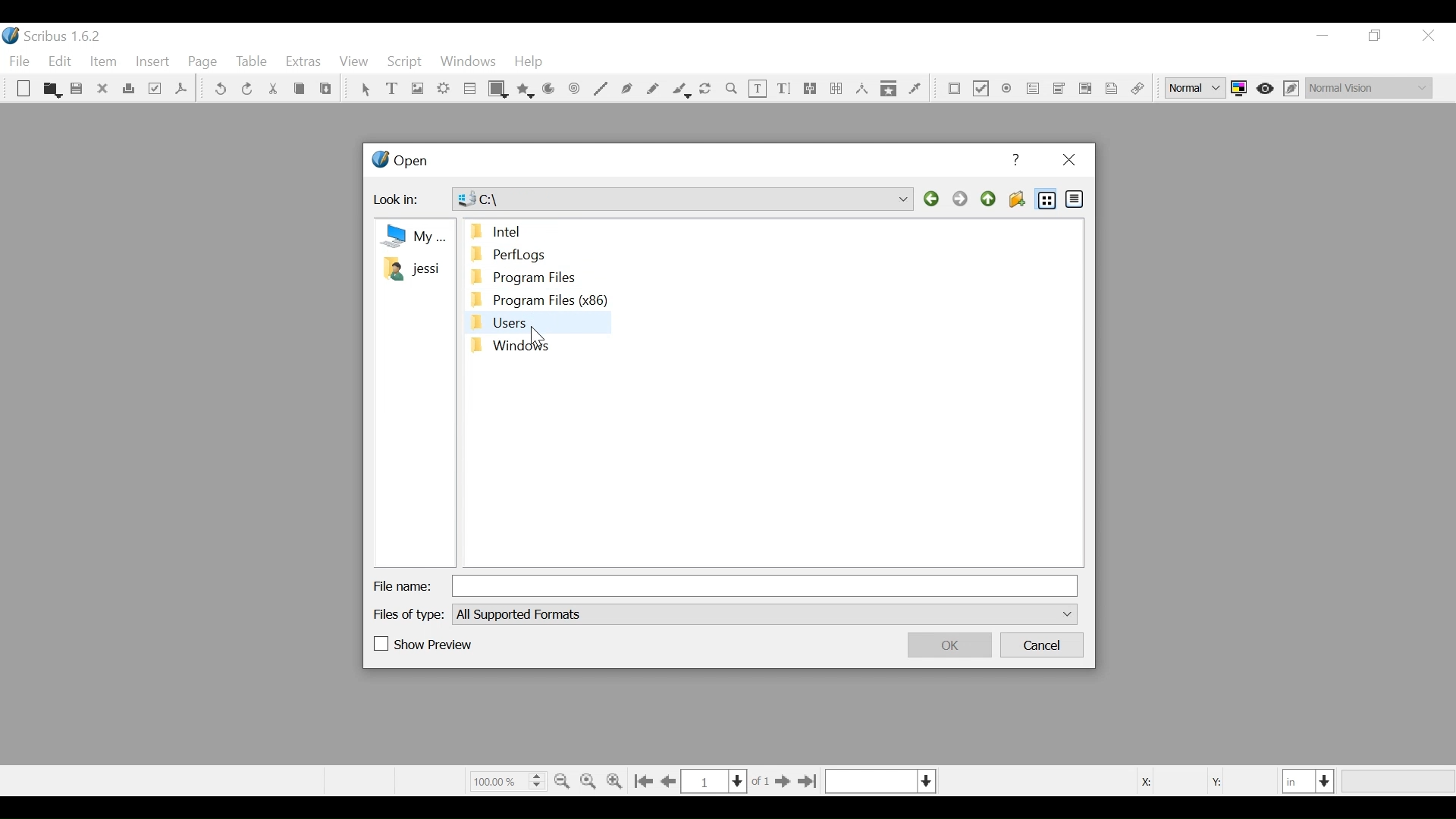 The height and width of the screenshot is (819, 1456). What do you see at coordinates (590, 779) in the screenshot?
I see `Zoom to 100` at bounding box center [590, 779].